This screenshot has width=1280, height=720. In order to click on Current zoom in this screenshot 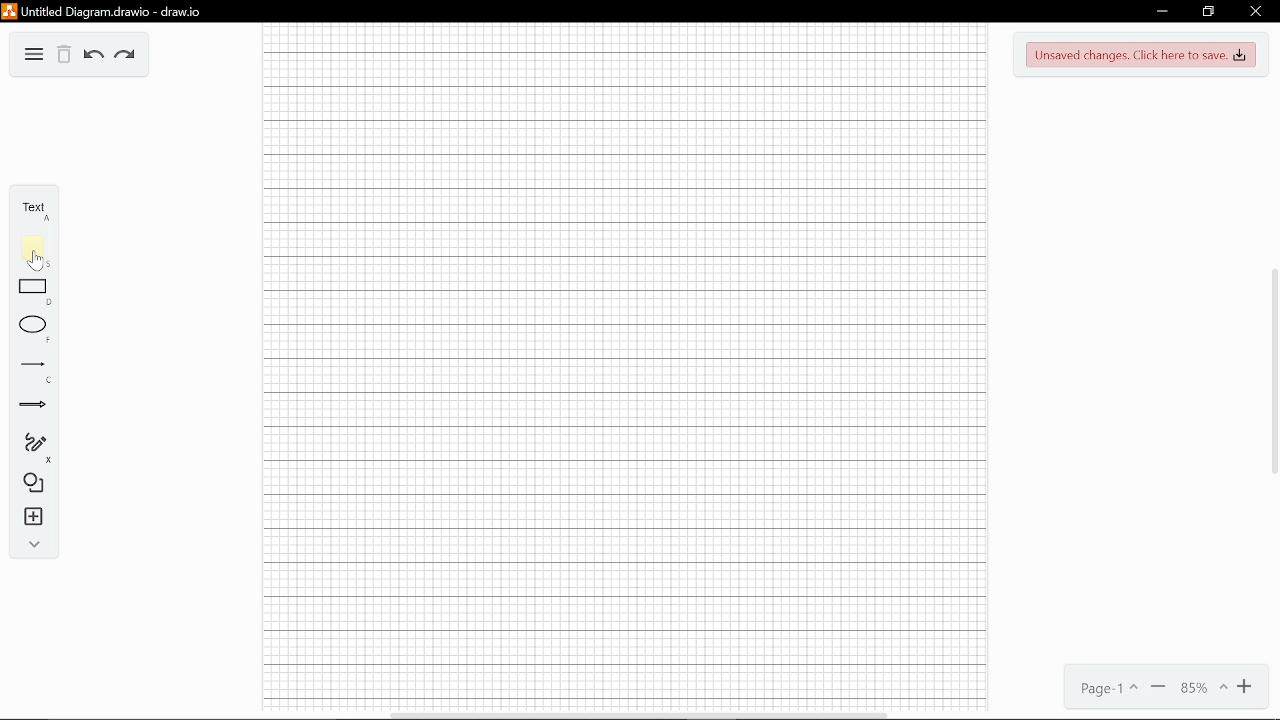, I will do `click(1202, 687)`.